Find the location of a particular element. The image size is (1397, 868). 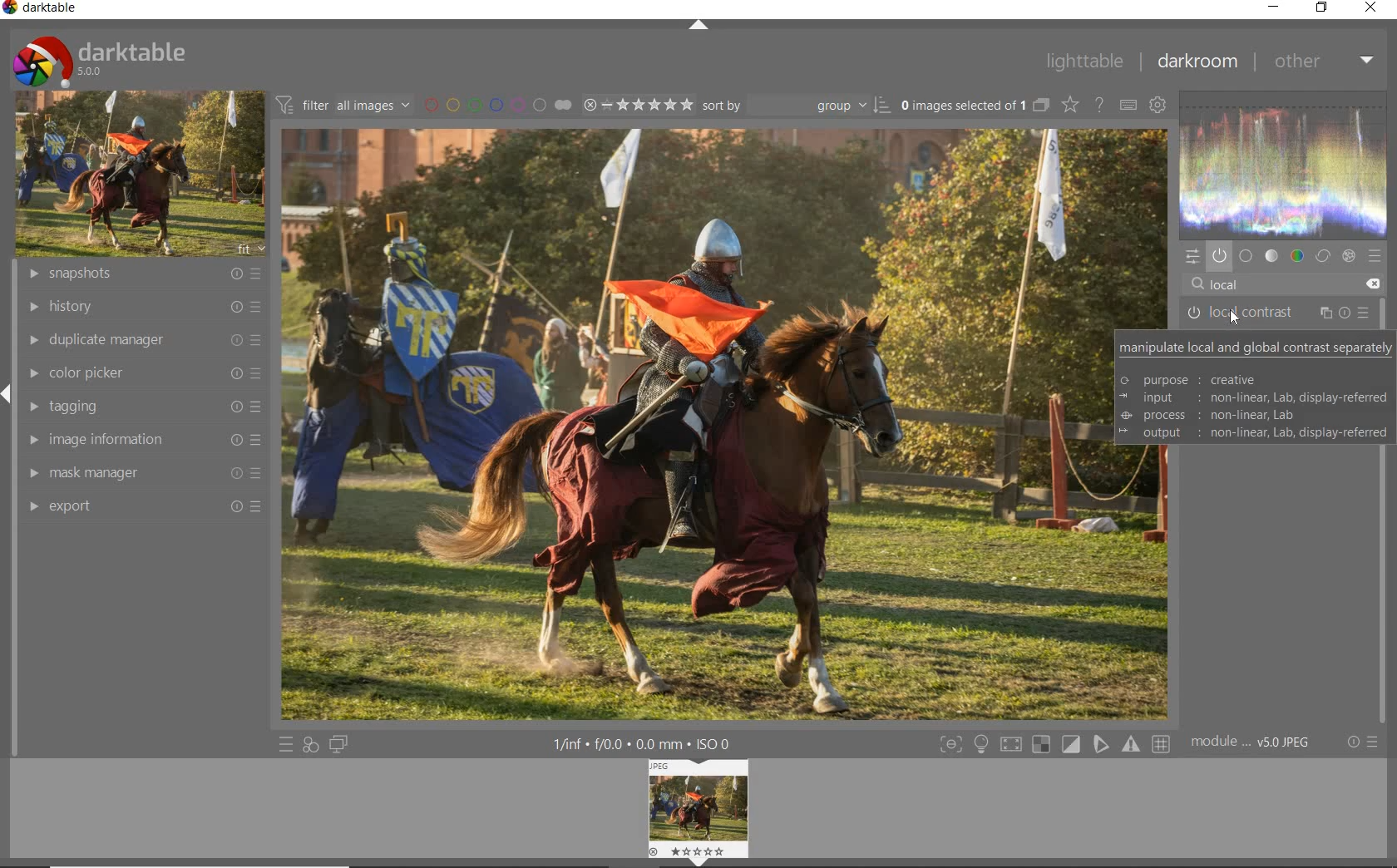

filter all images is located at coordinates (344, 105).